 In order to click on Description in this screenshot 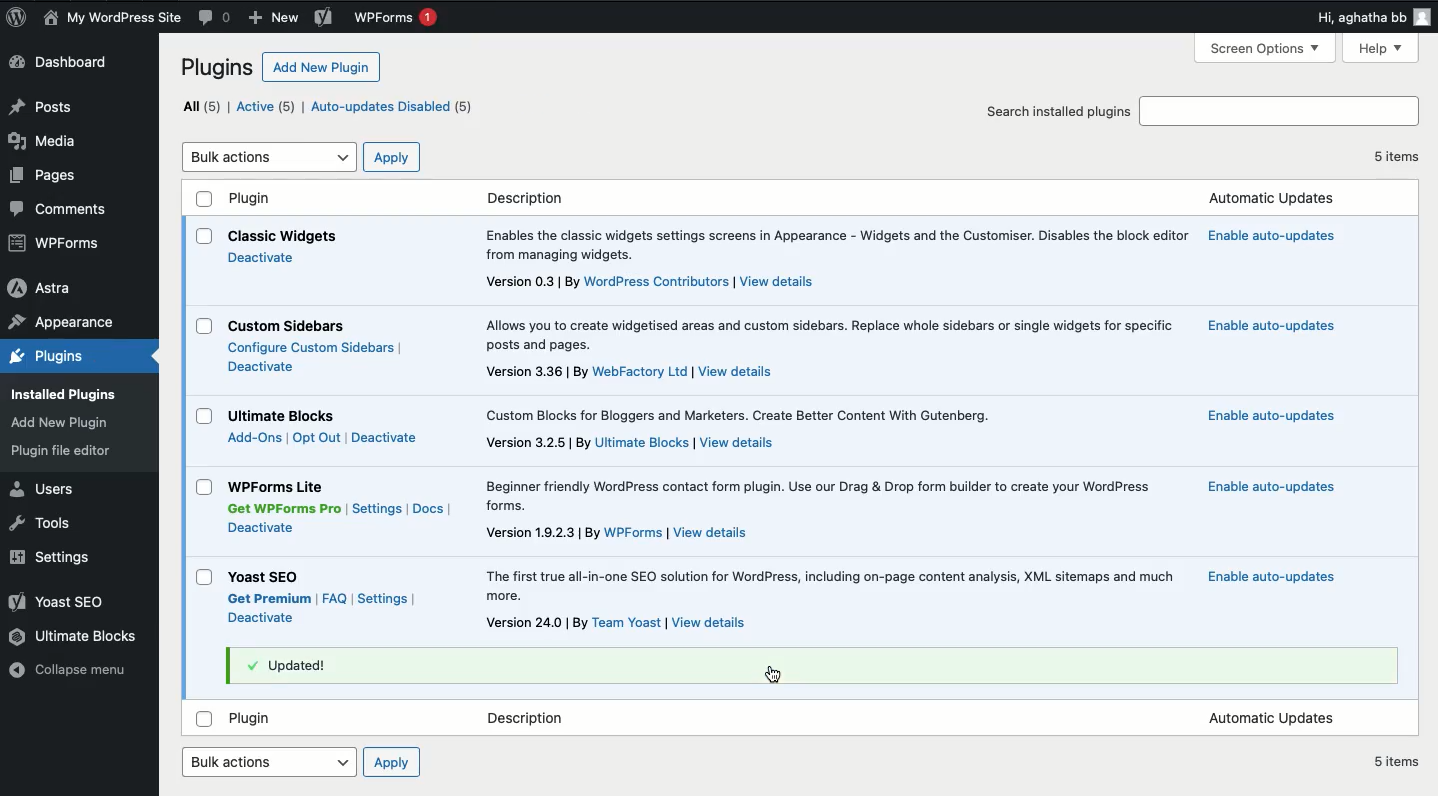, I will do `click(530, 719)`.